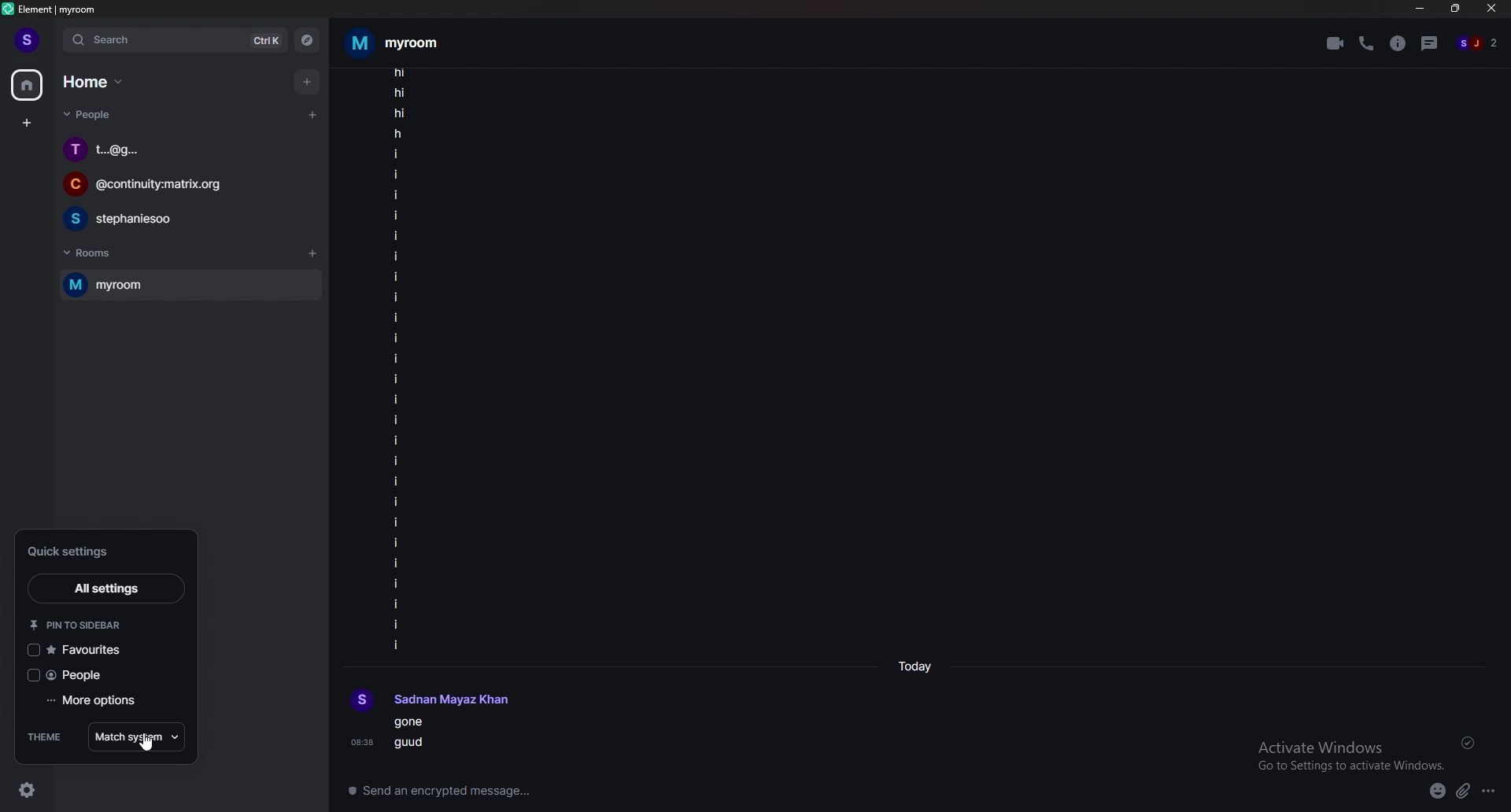  What do you see at coordinates (54, 40) in the screenshot?
I see `expand` at bounding box center [54, 40].